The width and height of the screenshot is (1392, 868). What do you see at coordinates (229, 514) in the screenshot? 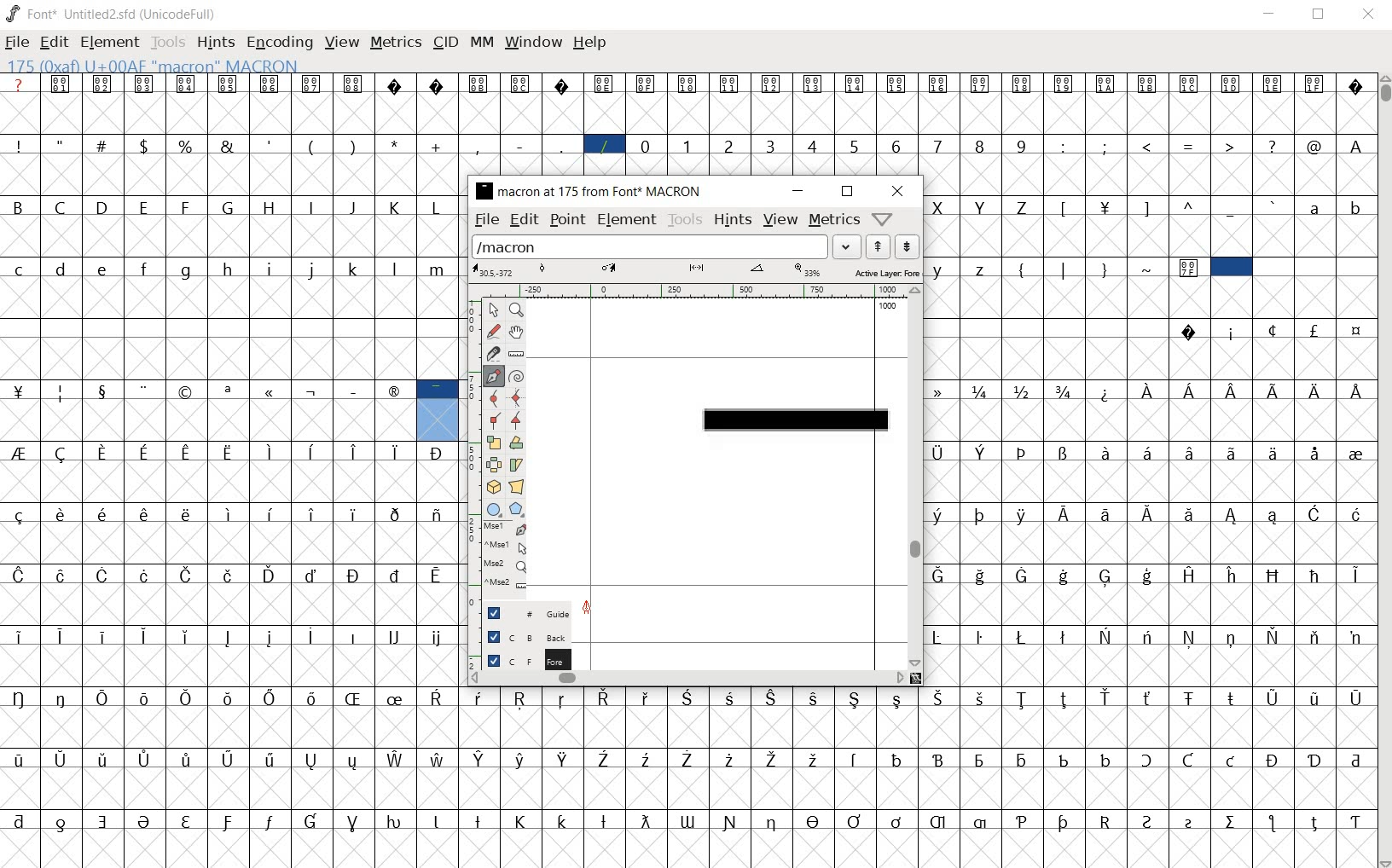
I see `Symbol` at bounding box center [229, 514].